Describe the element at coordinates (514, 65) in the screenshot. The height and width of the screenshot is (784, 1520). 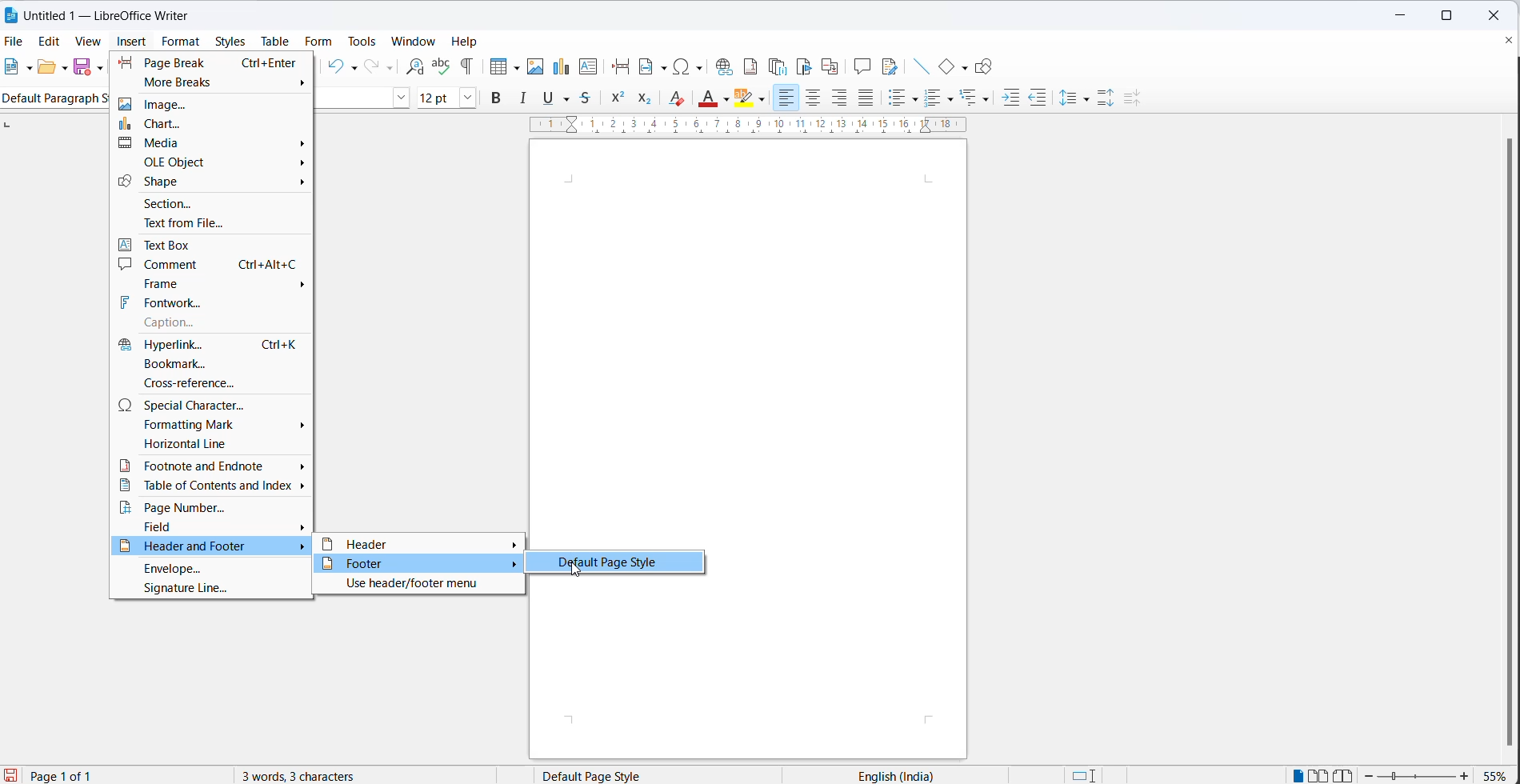
I see `table grid` at that location.